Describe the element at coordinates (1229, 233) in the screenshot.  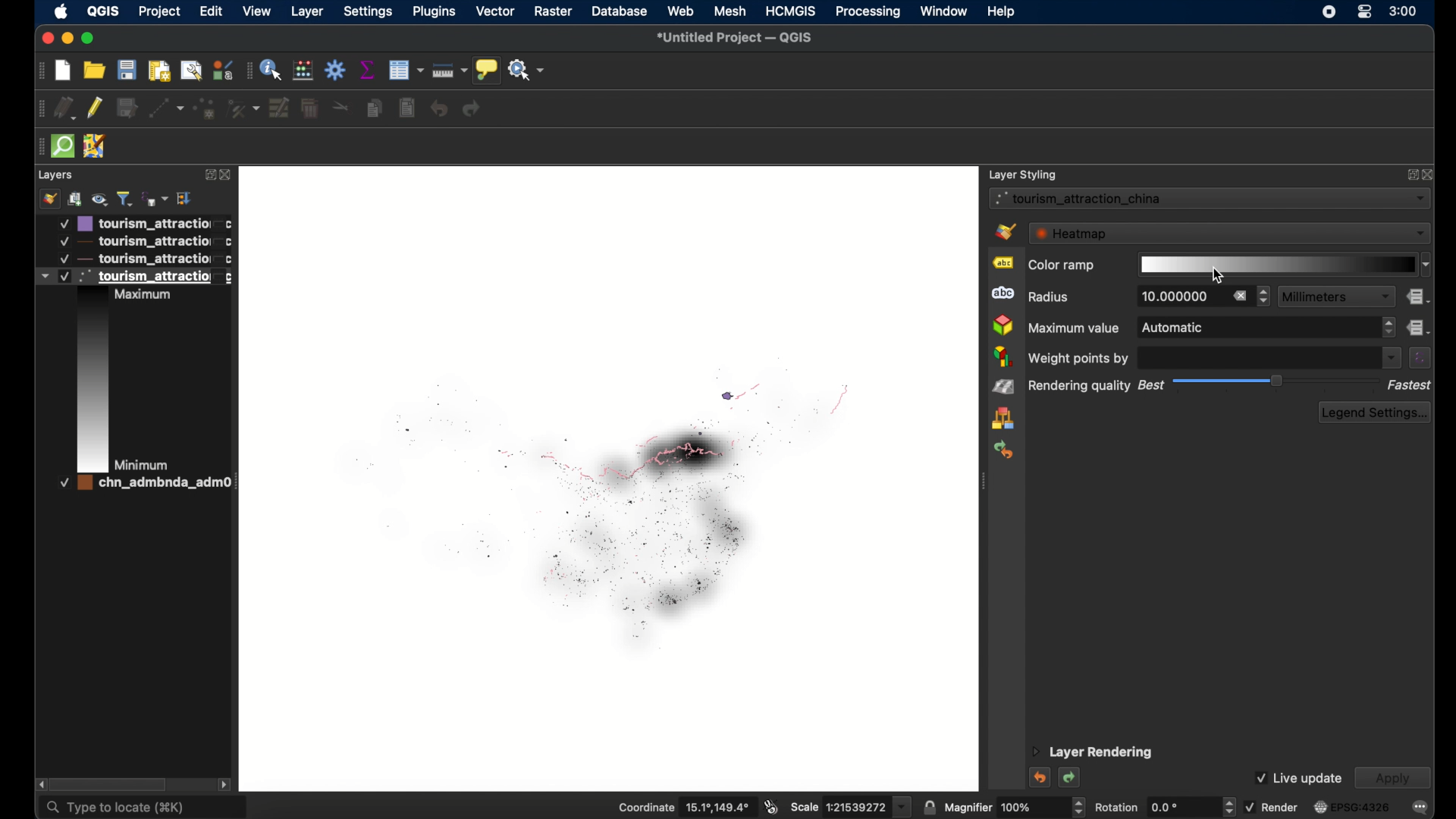
I see `heat map dropdown menu` at that location.